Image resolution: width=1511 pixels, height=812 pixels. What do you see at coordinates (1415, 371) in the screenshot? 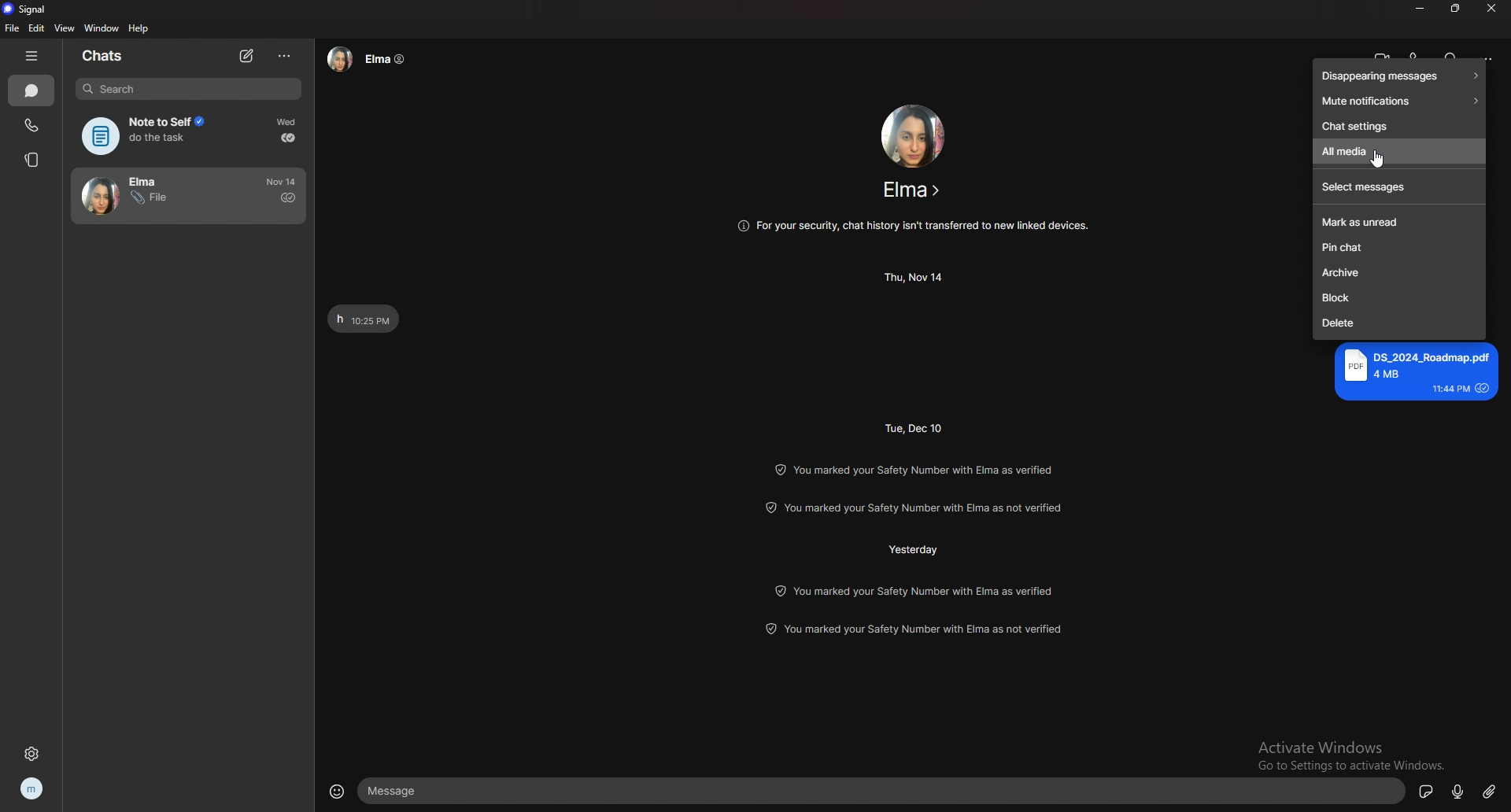
I see `text` at bounding box center [1415, 371].